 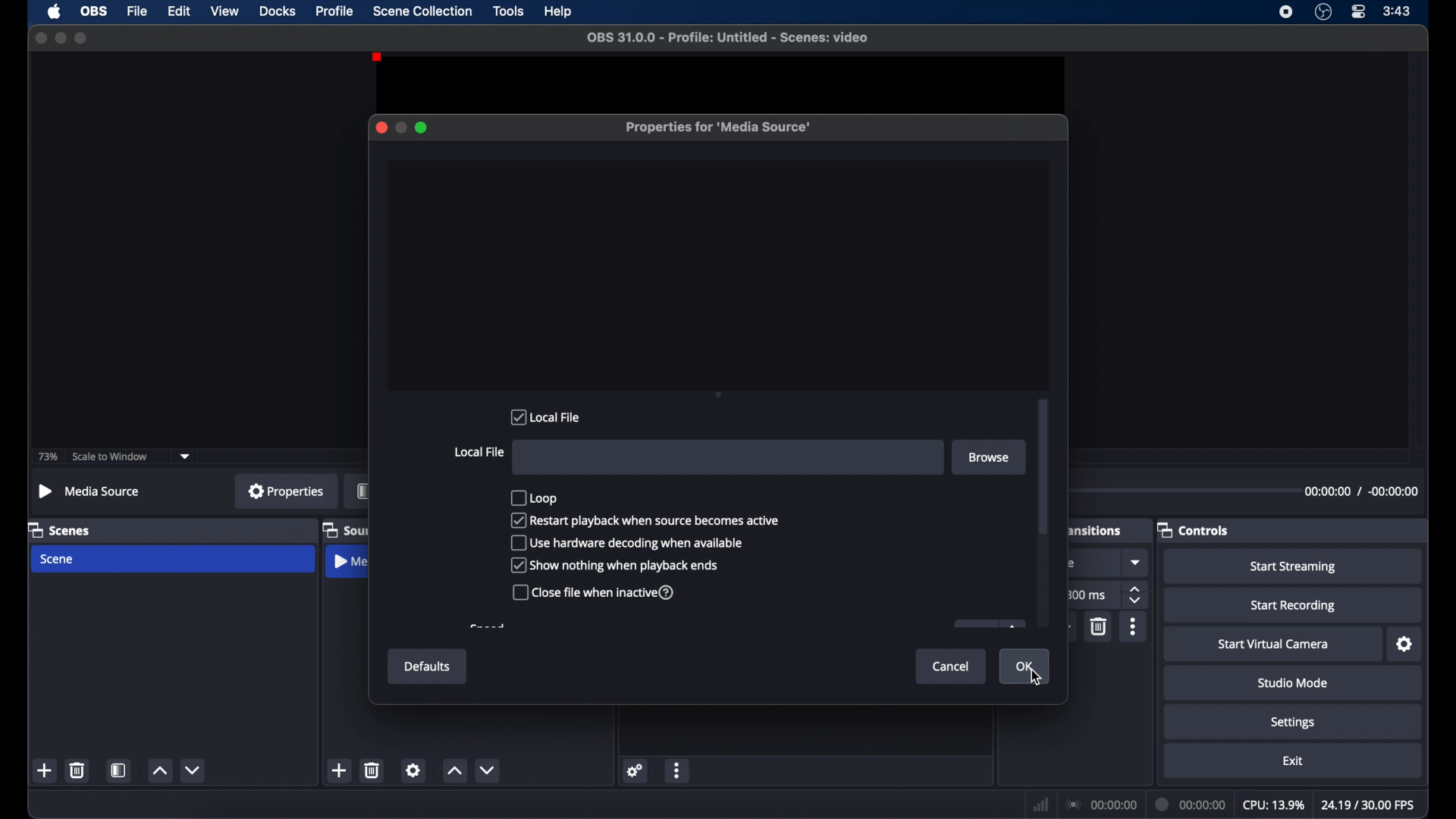 I want to click on 00:00:00, so click(x=1191, y=805).